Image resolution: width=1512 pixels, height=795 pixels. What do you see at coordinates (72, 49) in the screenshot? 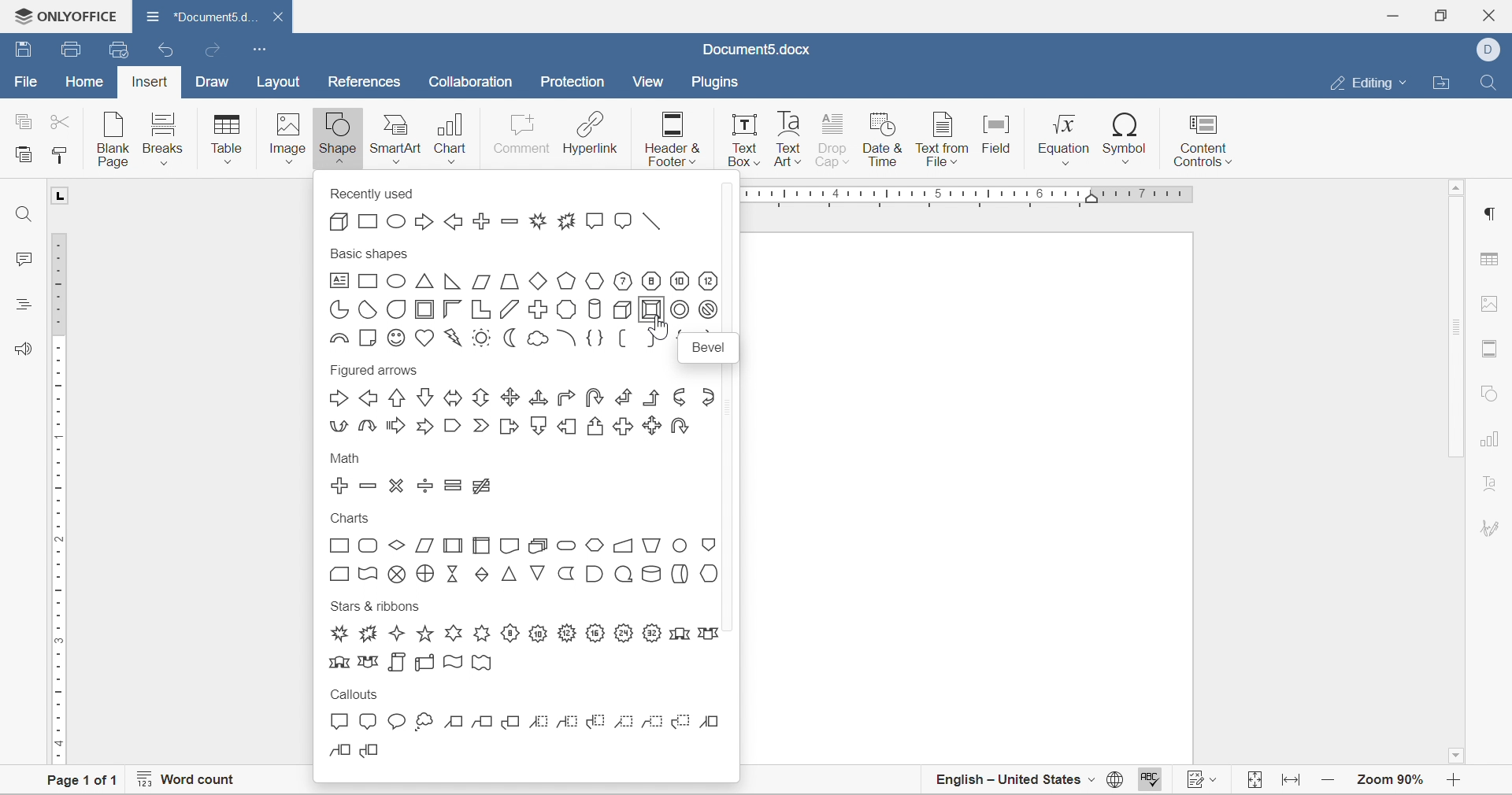
I see `save` at bounding box center [72, 49].